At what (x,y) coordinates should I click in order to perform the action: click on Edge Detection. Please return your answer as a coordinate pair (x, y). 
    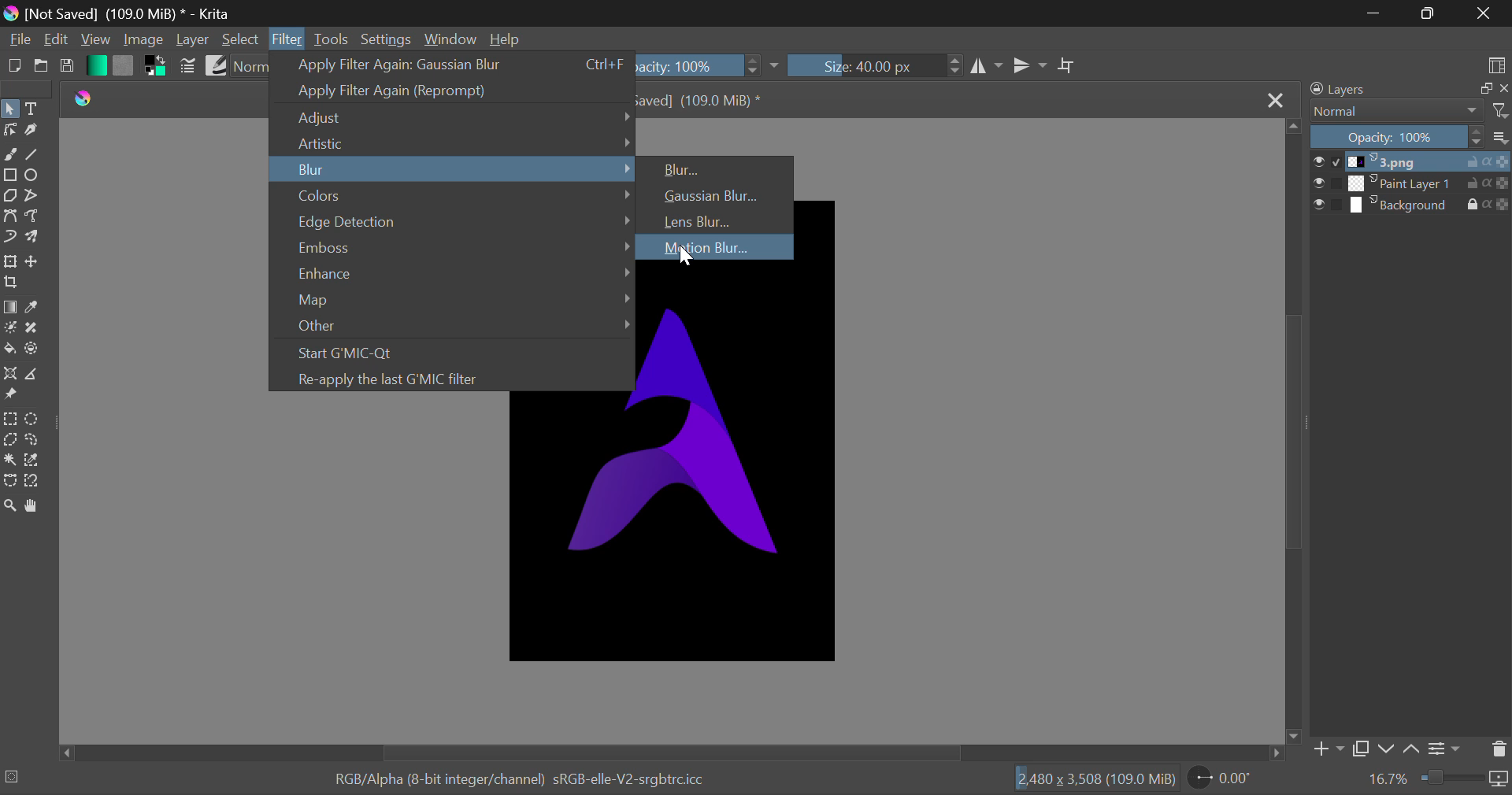
    Looking at the image, I should click on (453, 220).